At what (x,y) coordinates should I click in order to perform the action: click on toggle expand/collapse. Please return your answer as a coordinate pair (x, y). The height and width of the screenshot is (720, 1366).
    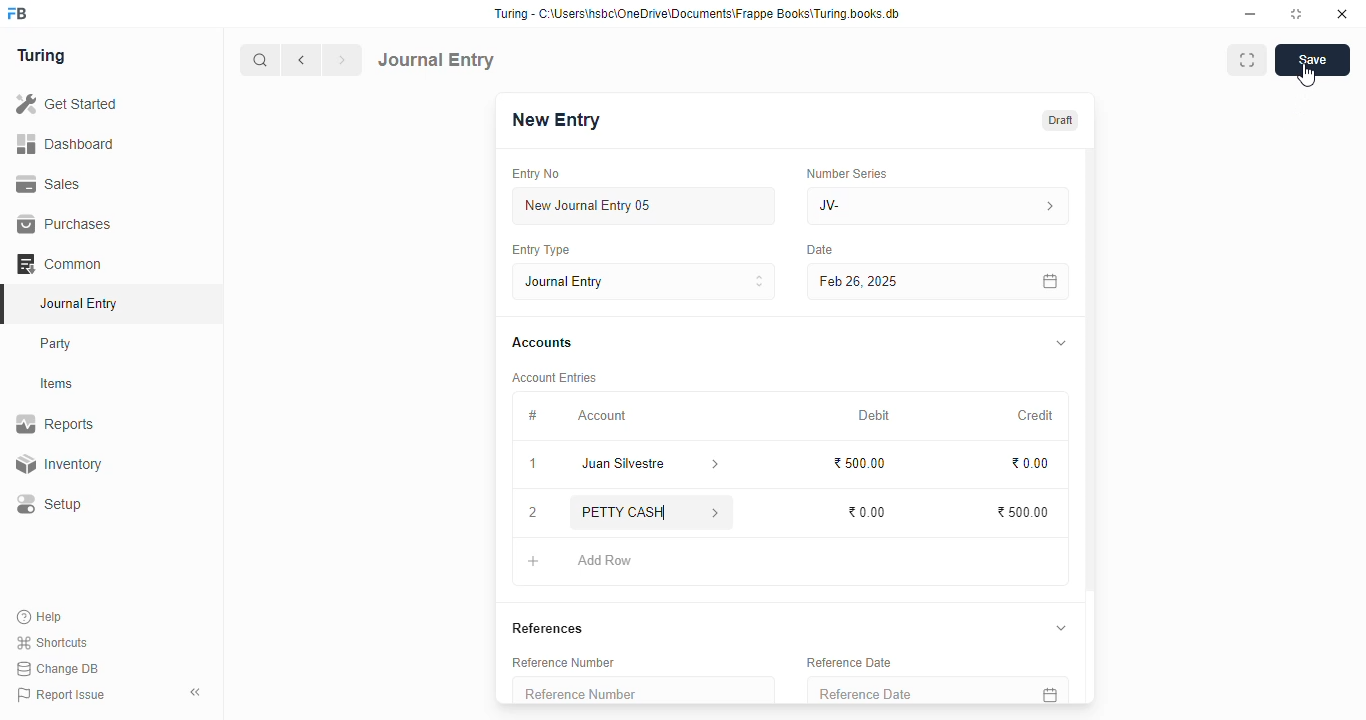
    Looking at the image, I should click on (1062, 627).